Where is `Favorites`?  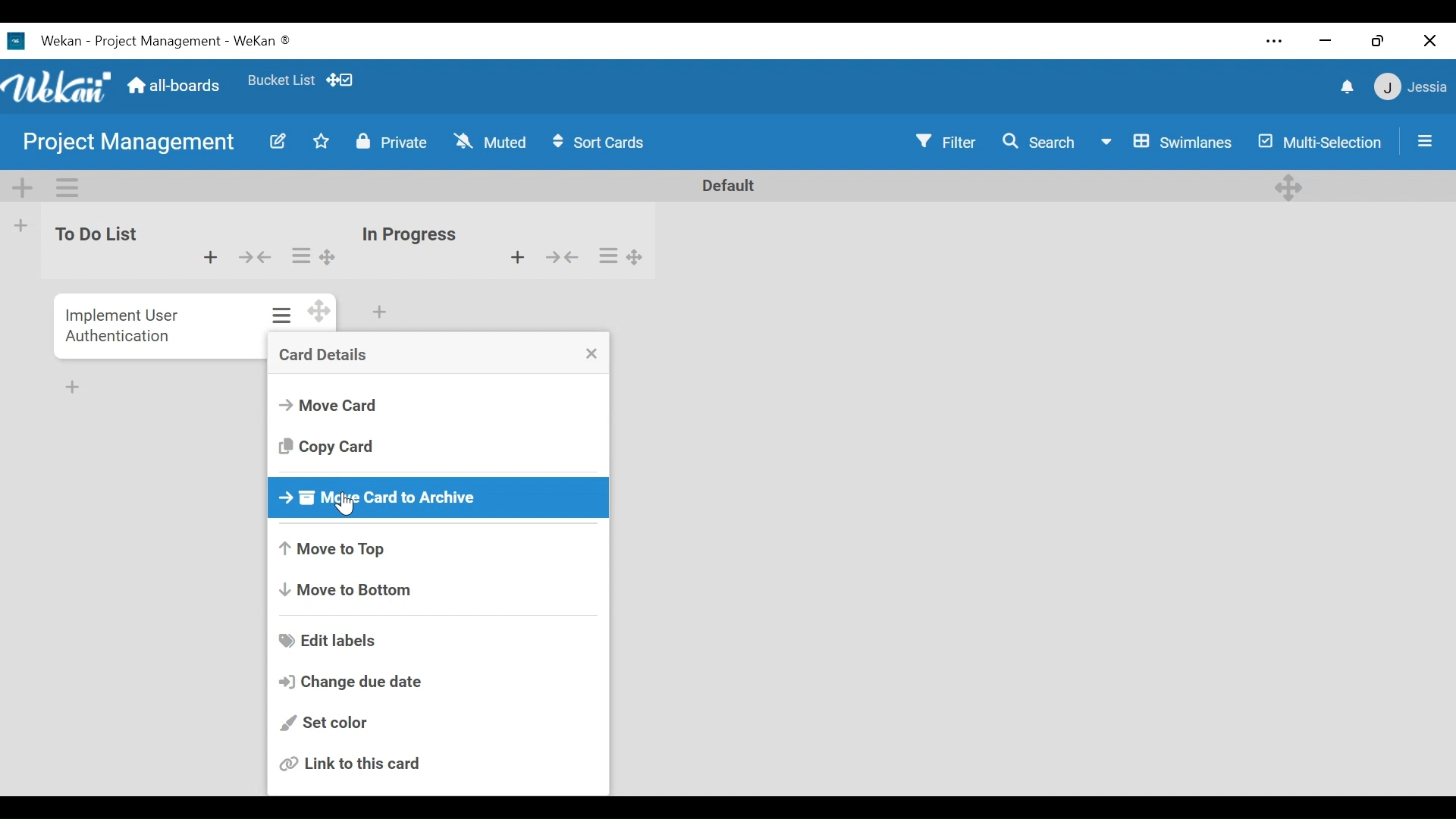
Favorites is located at coordinates (283, 82).